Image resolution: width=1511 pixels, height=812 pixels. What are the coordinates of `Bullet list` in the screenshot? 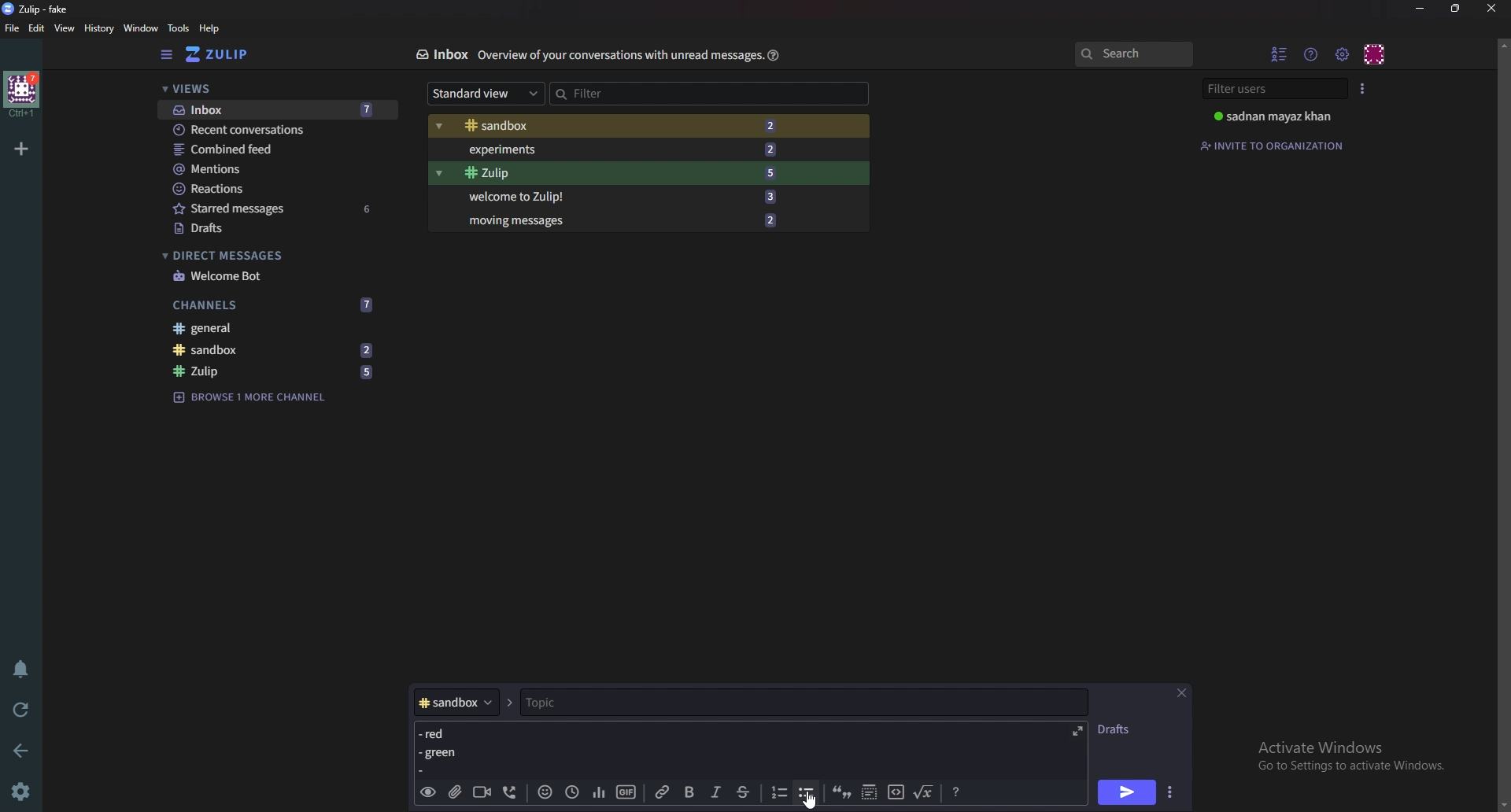 It's located at (807, 792).